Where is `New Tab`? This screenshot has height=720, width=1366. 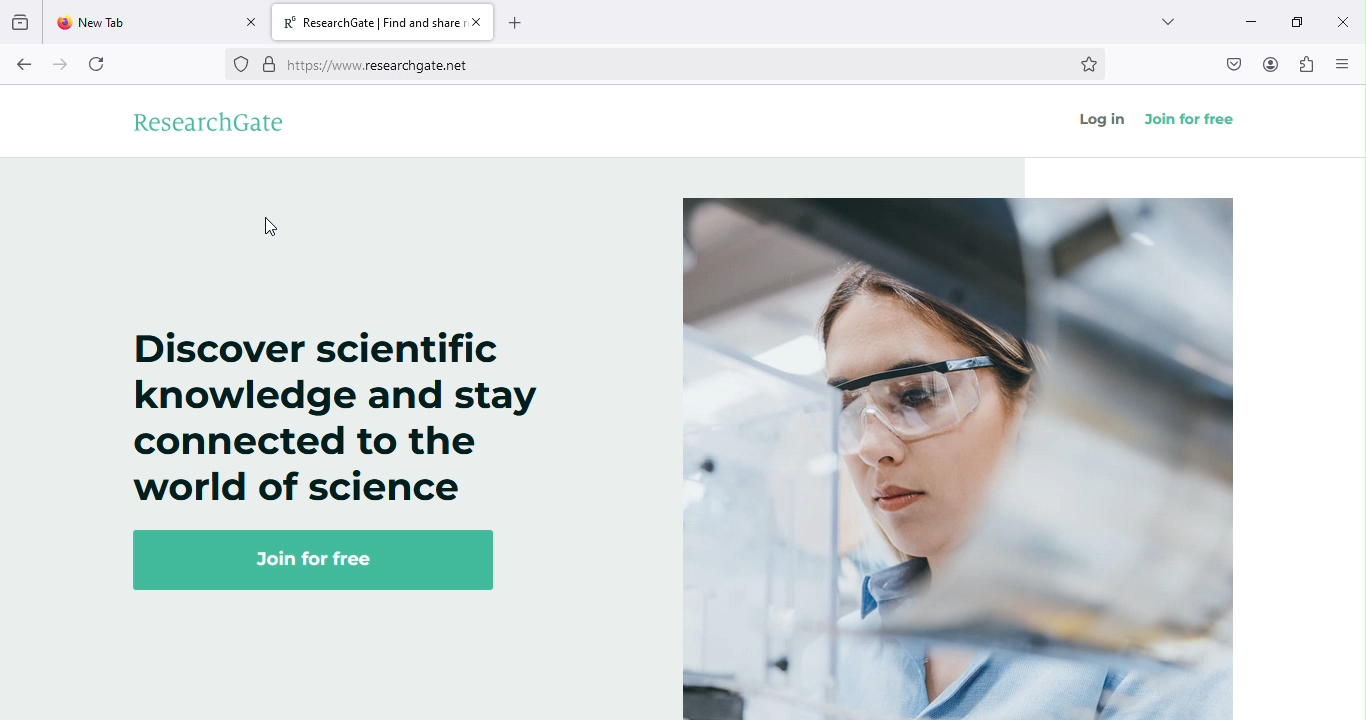 New Tab is located at coordinates (128, 26).